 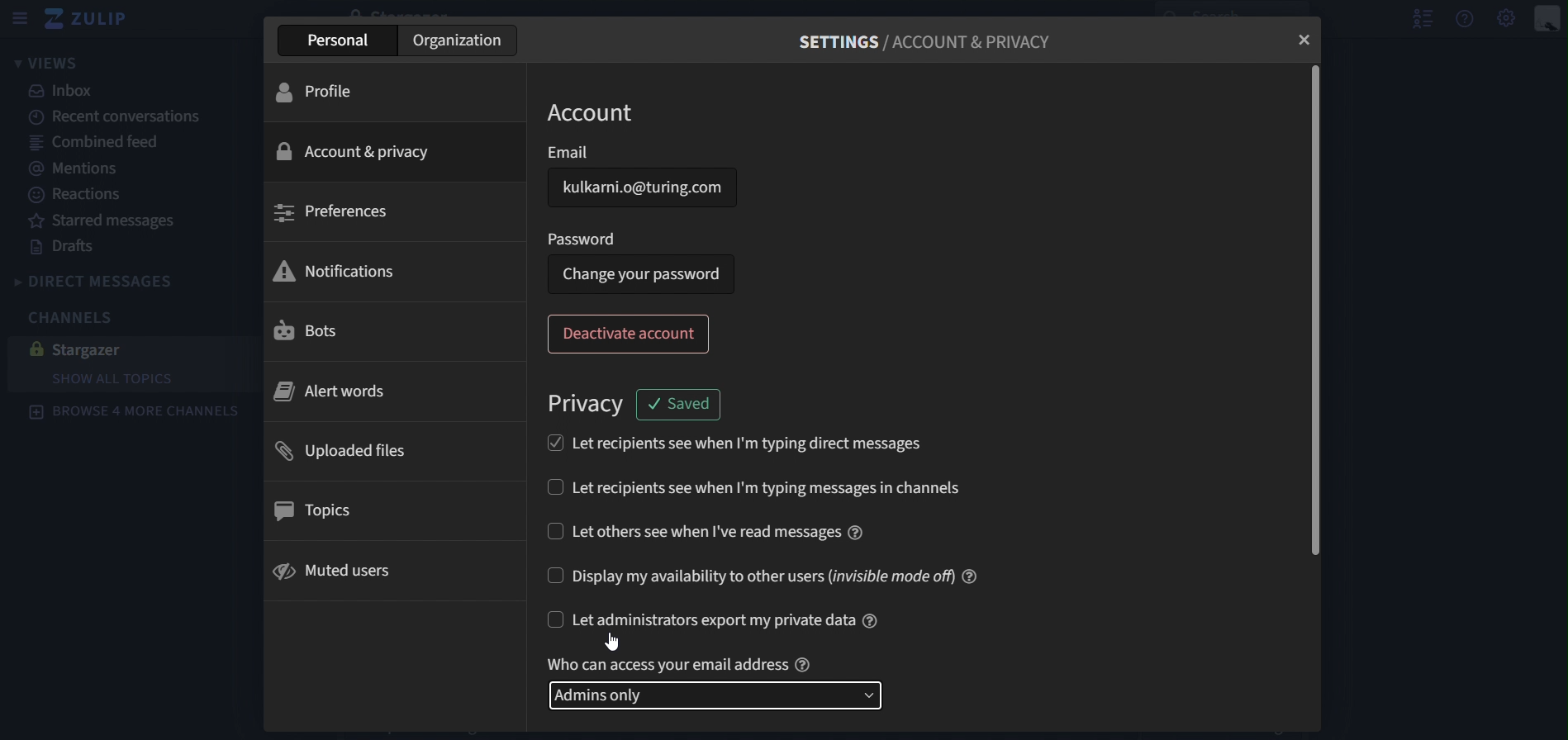 I want to click on admins only, so click(x=716, y=695).